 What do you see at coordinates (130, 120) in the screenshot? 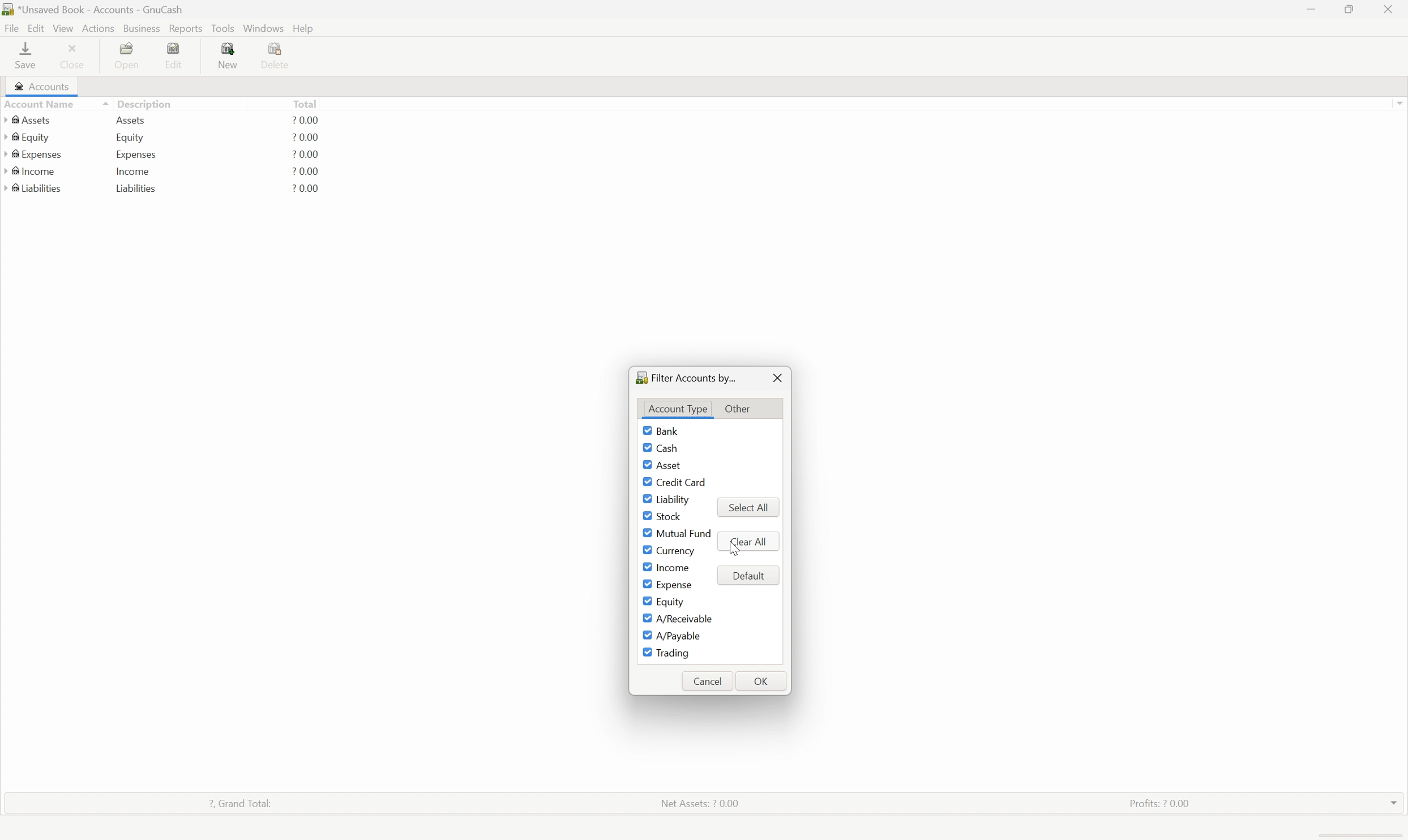
I see `Assets` at bounding box center [130, 120].